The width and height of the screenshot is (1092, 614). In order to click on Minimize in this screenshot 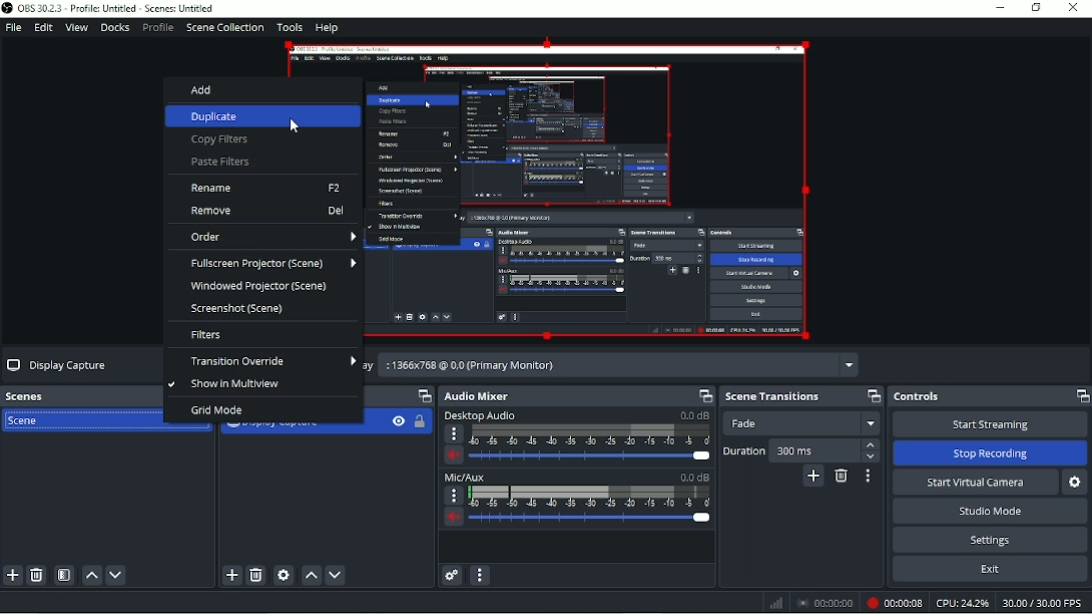, I will do `click(1000, 7)`.